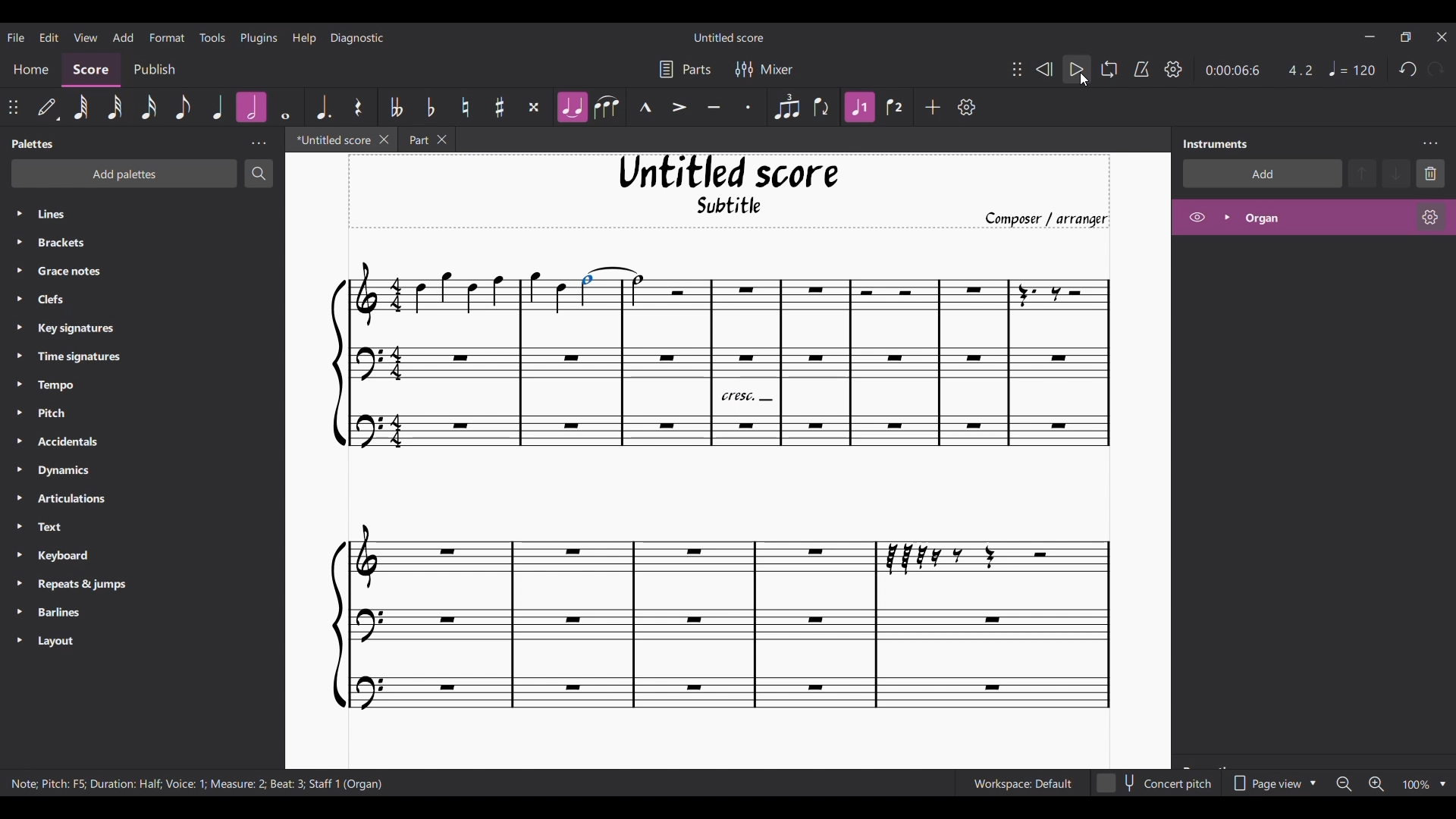 The width and height of the screenshot is (1456, 819). I want to click on Show interface in a smaller tab, so click(1405, 36).